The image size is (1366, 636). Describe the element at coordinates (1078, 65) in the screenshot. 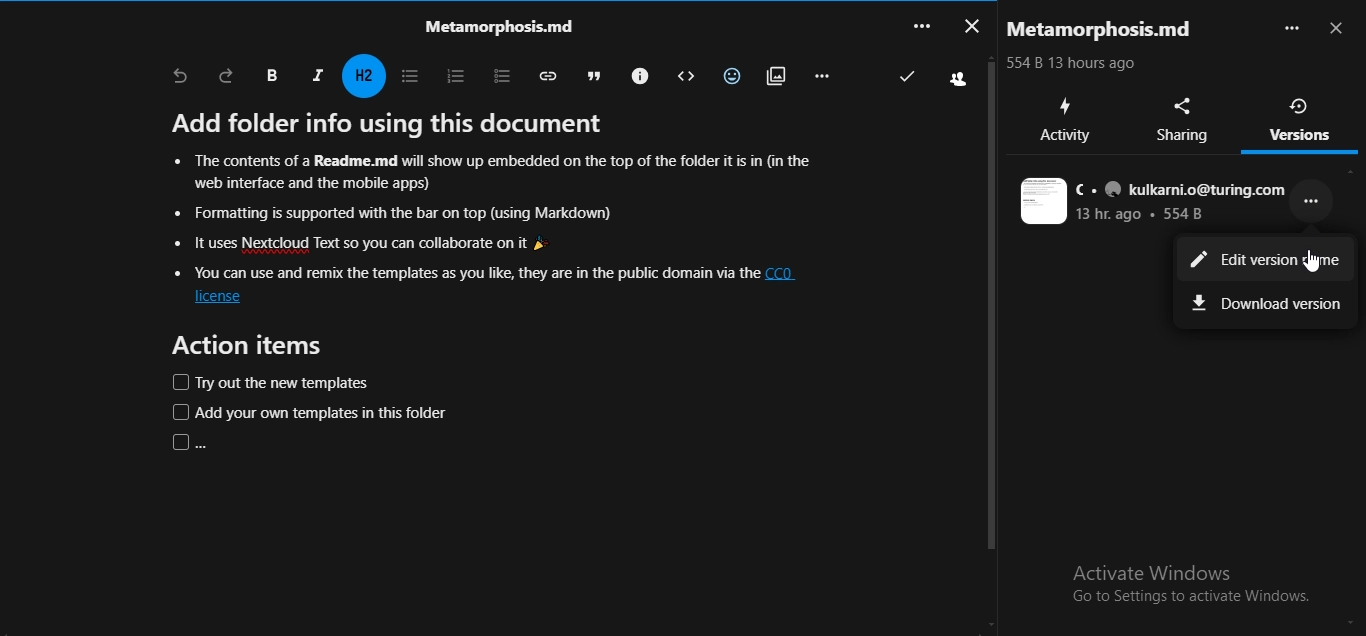

I see `554 B 13 hours ago` at that location.